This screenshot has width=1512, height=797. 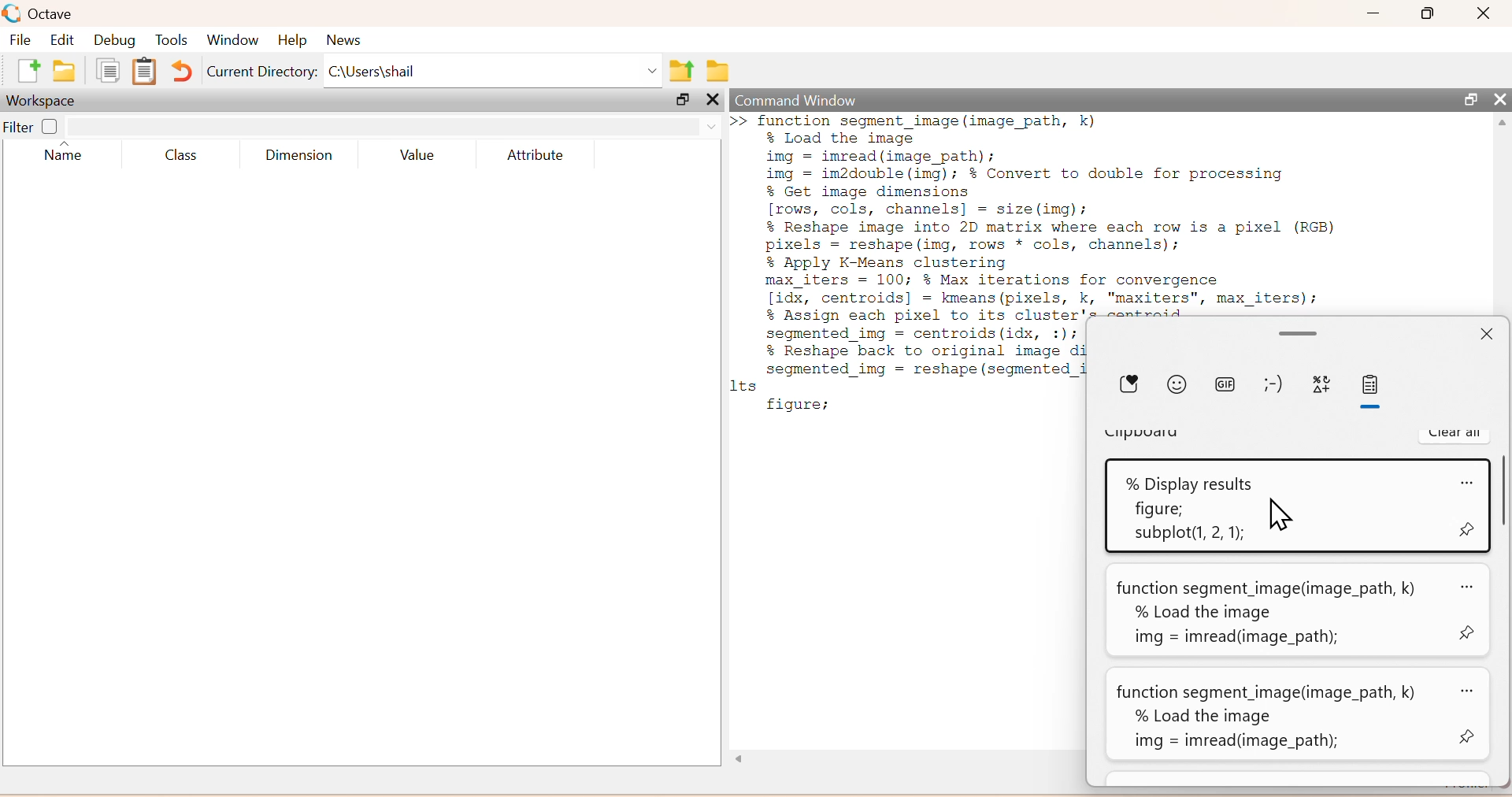 What do you see at coordinates (1430, 13) in the screenshot?
I see `Maximize` at bounding box center [1430, 13].